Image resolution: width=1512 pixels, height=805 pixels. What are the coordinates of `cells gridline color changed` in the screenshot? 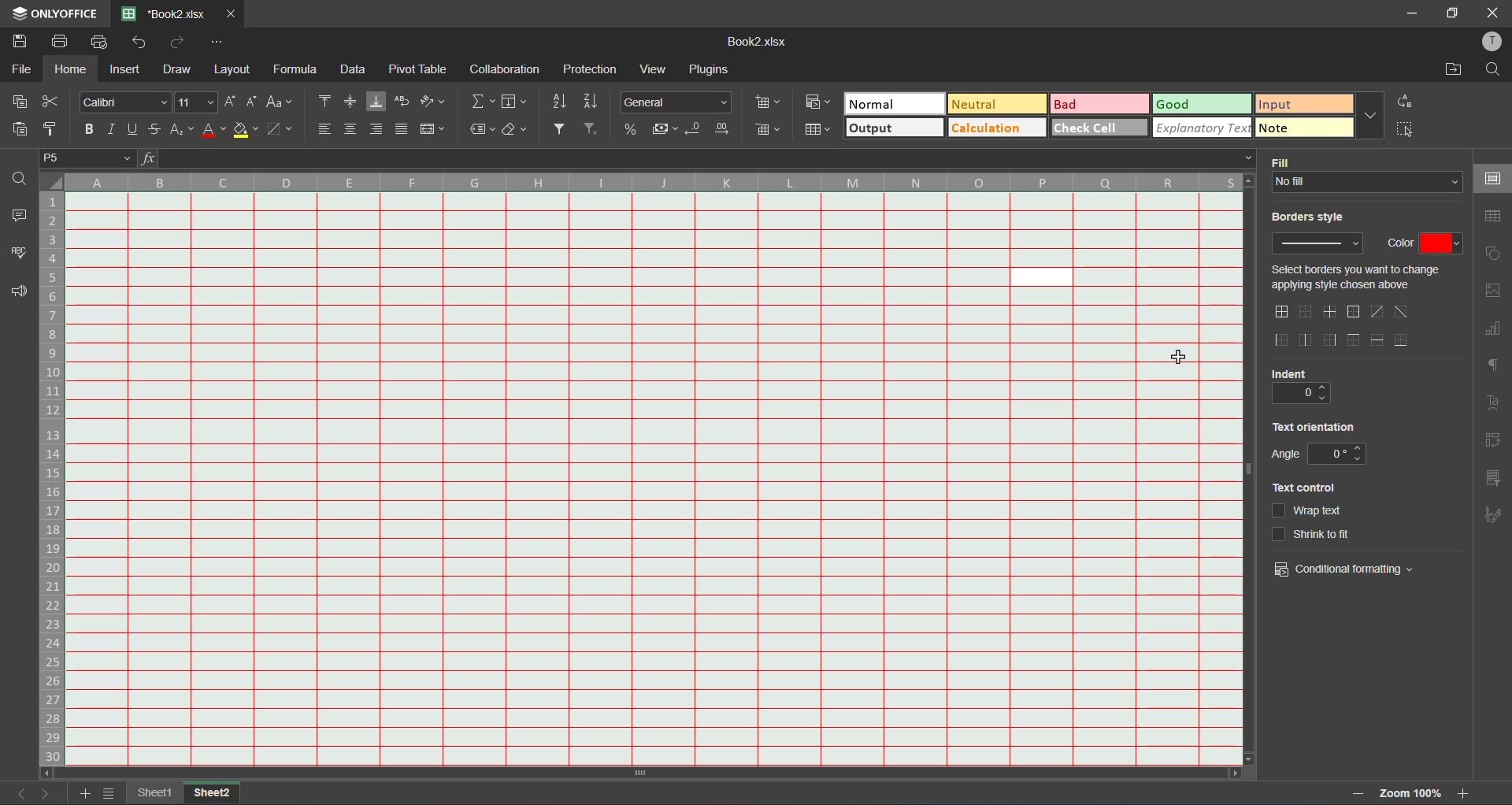 It's located at (656, 477).